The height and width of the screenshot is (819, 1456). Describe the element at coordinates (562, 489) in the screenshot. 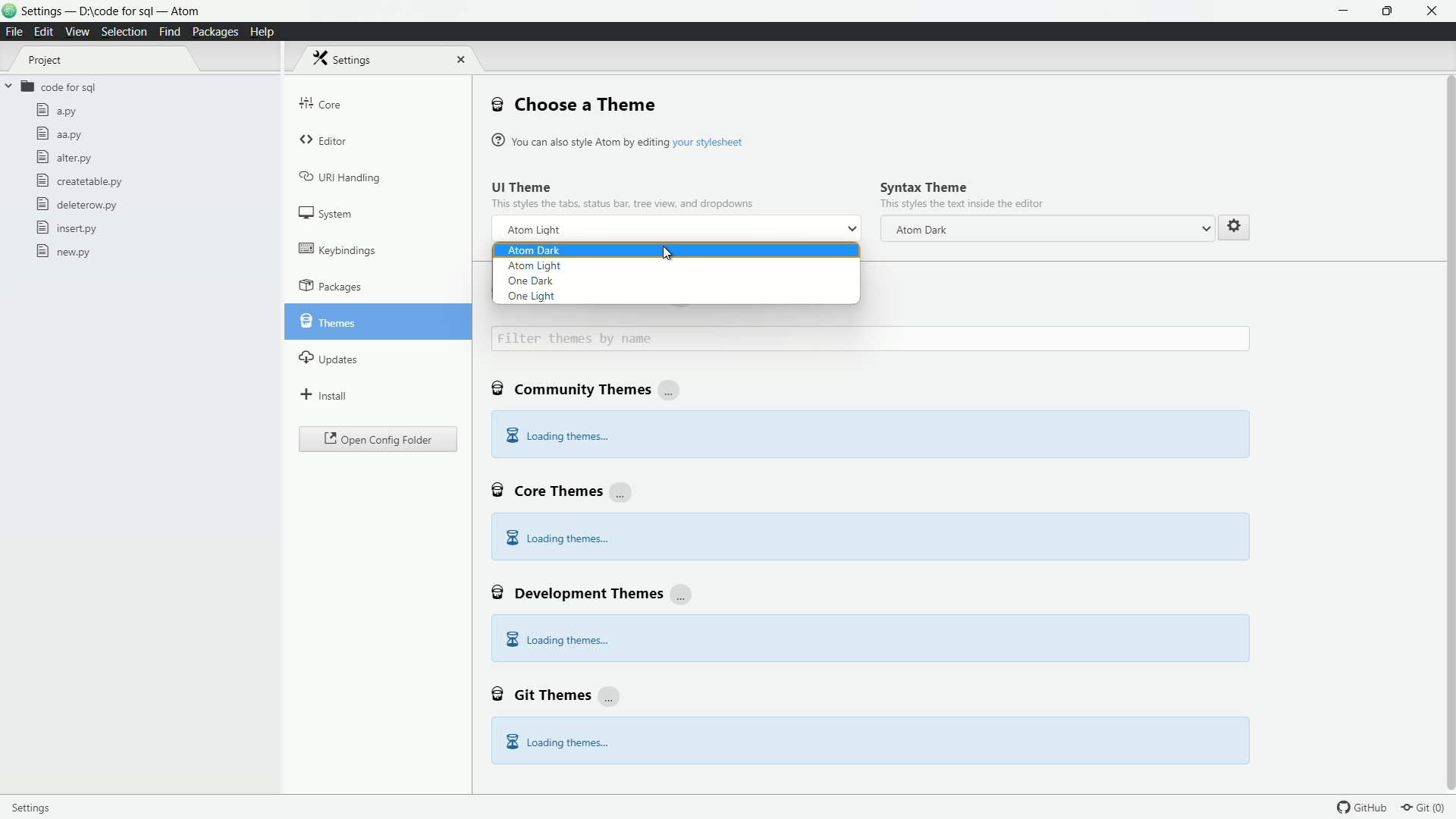

I see `core themes` at that location.